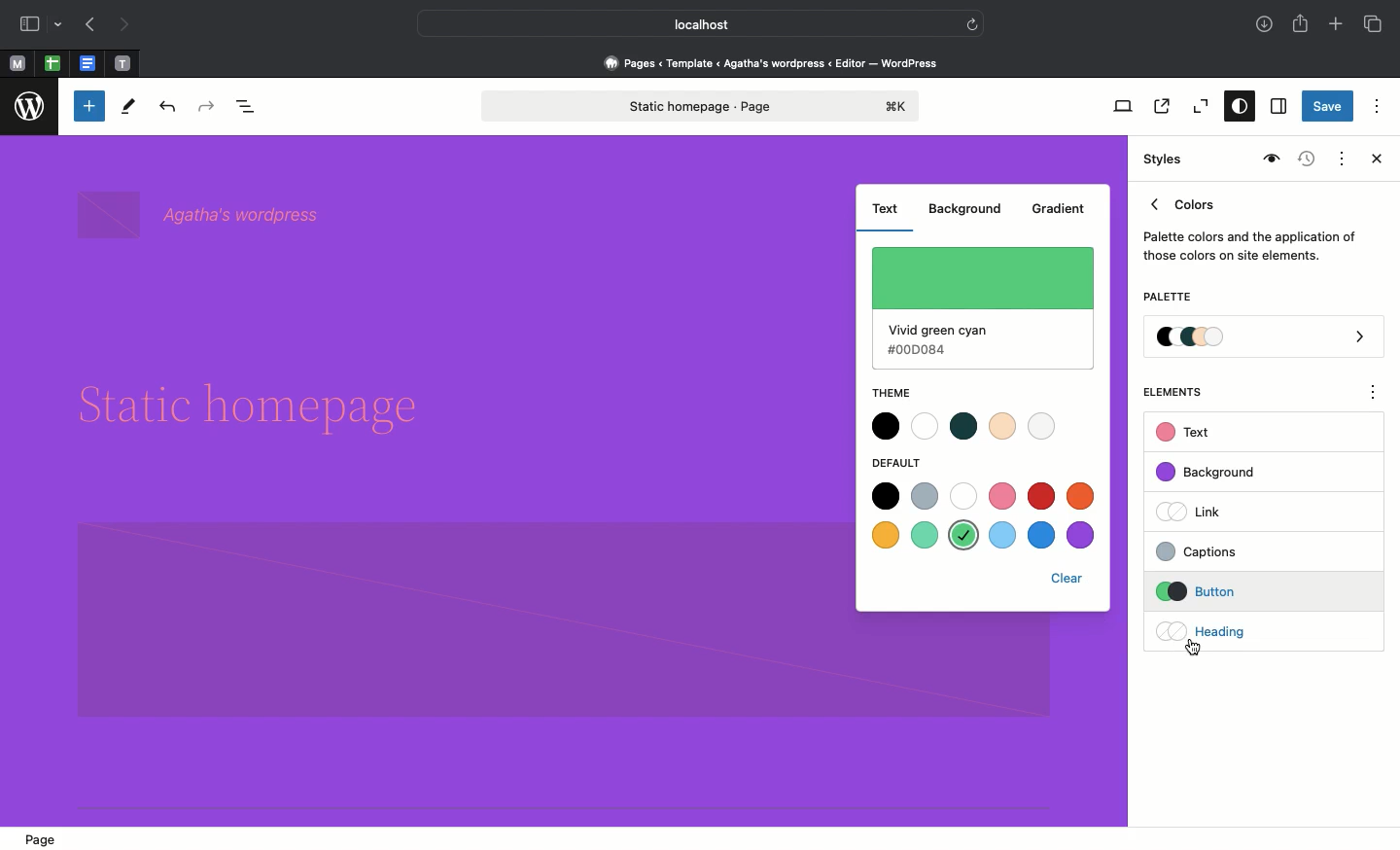 The height and width of the screenshot is (850, 1400). I want to click on Link, so click(1197, 511).